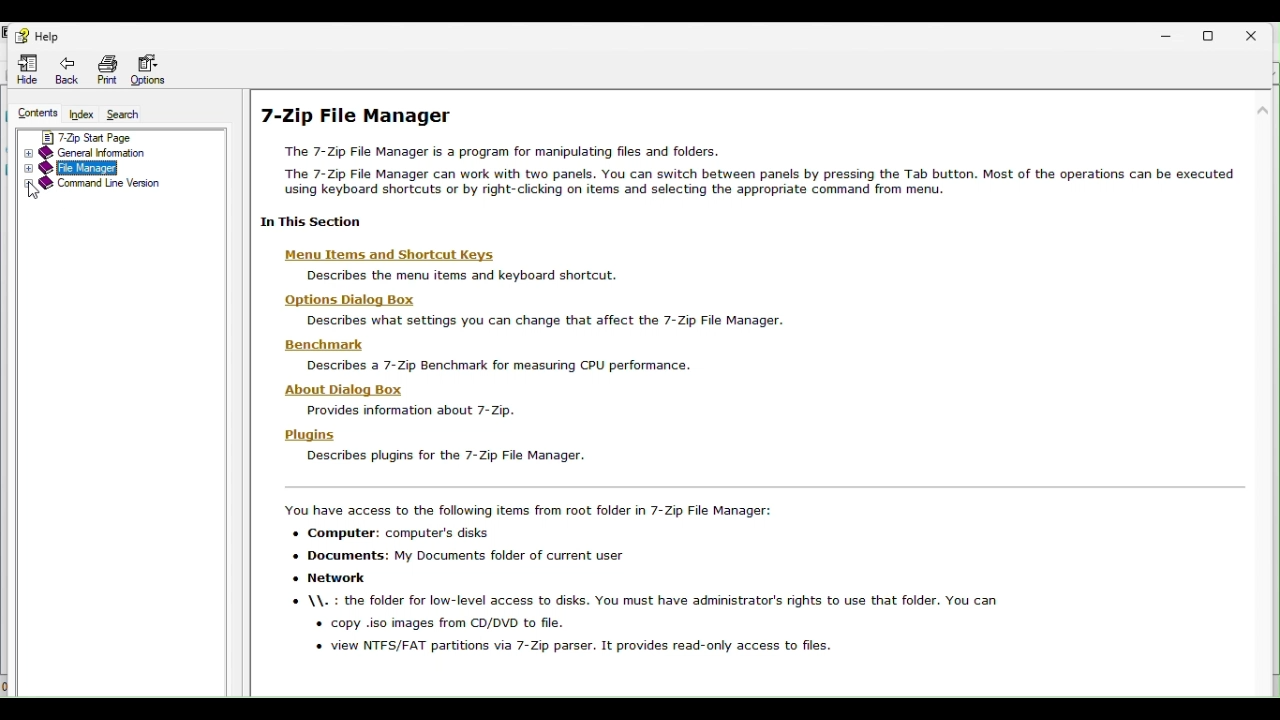  Describe the element at coordinates (39, 33) in the screenshot. I see `Help` at that location.